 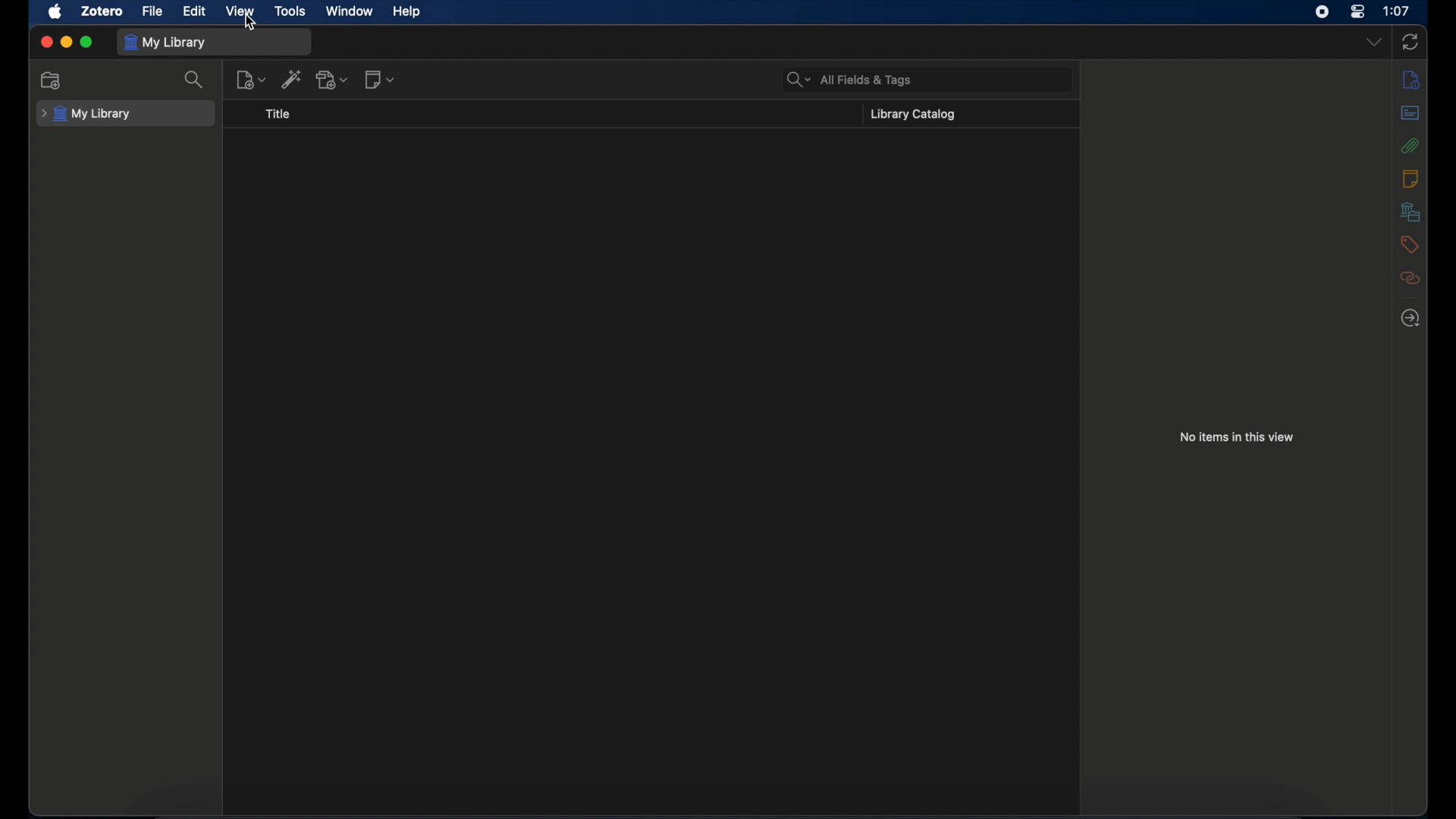 I want to click on search, so click(x=196, y=80).